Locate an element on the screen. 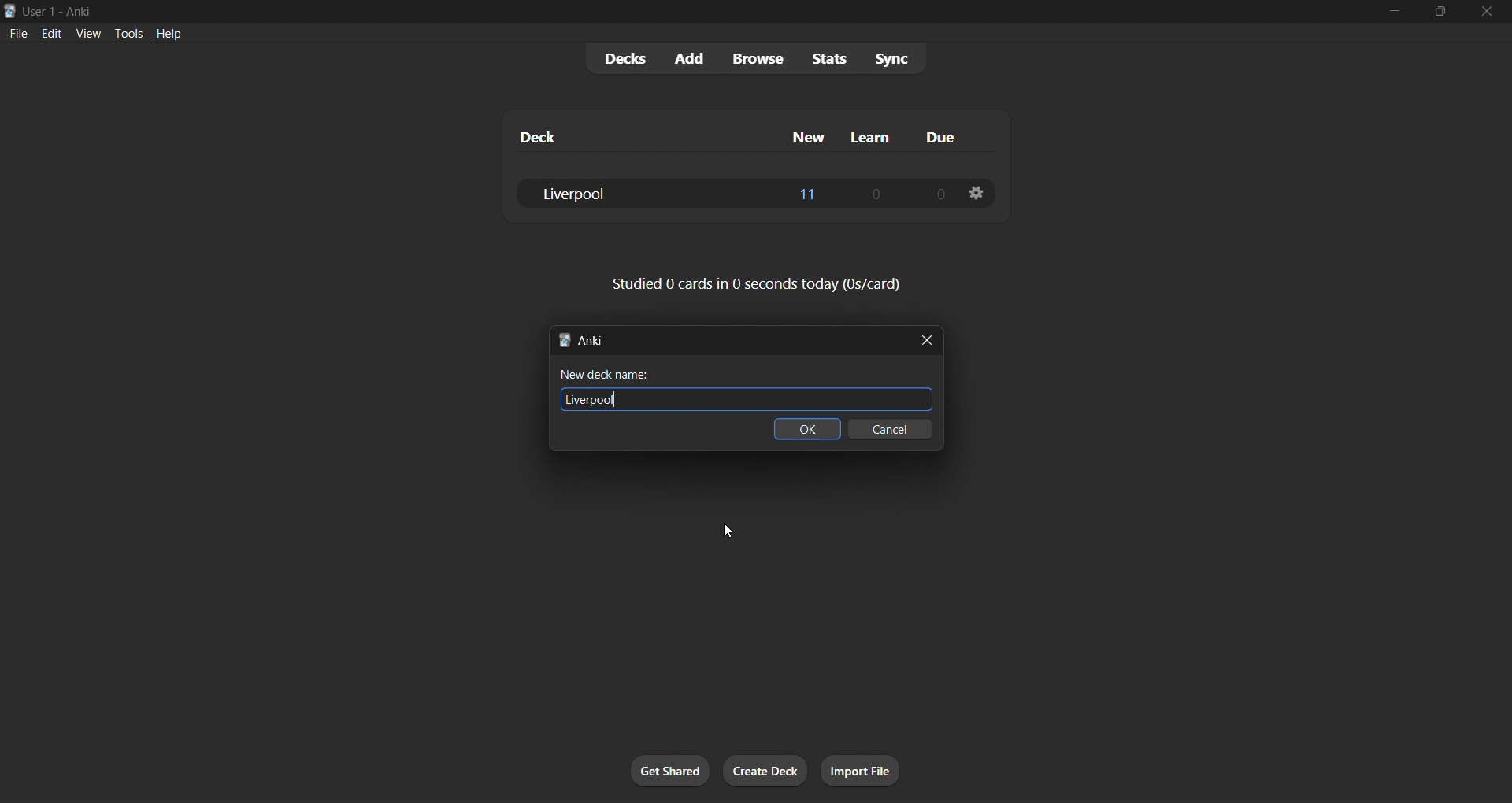  tools is located at coordinates (128, 35).